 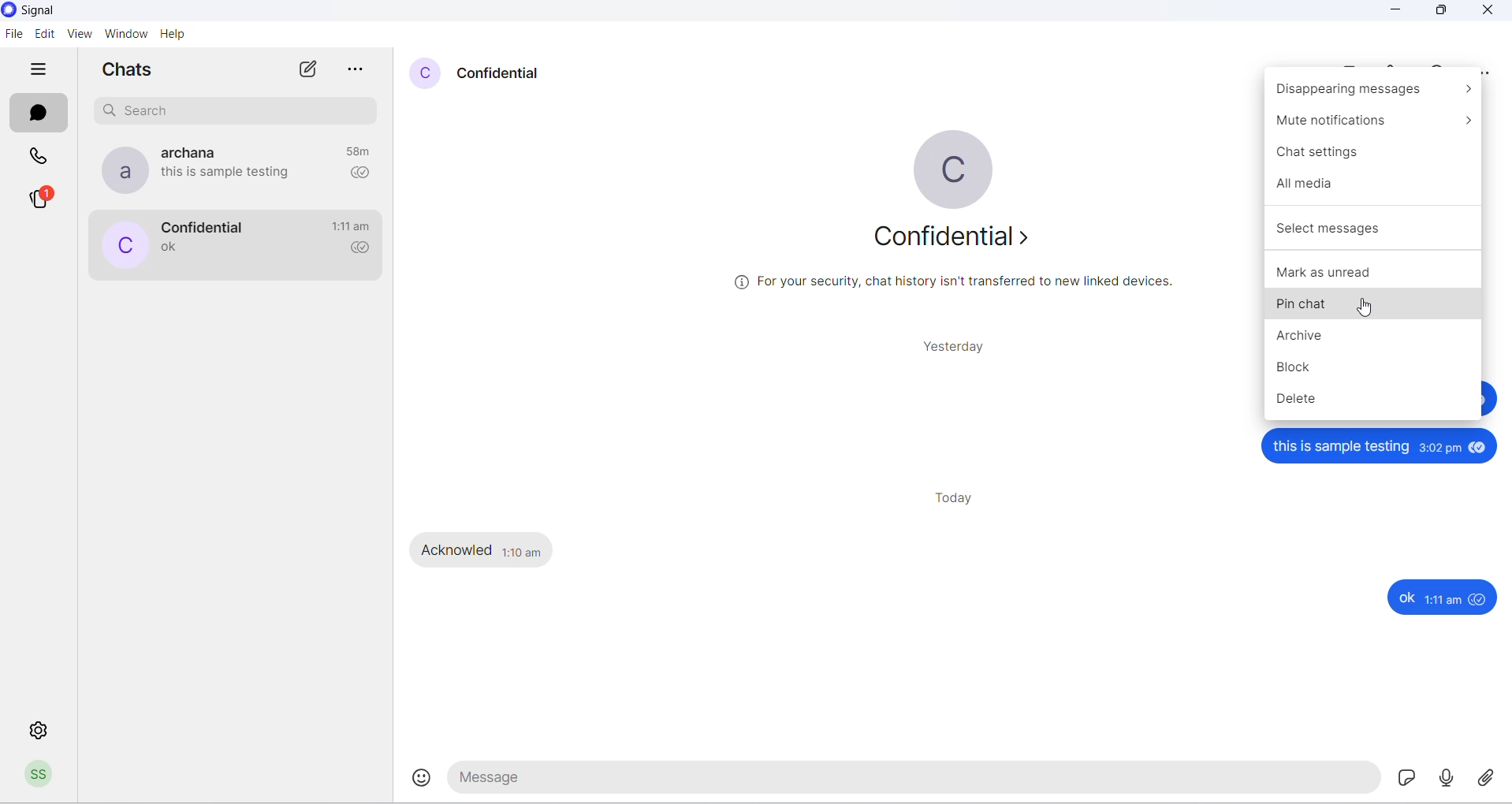 What do you see at coordinates (187, 152) in the screenshot?
I see `contact name` at bounding box center [187, 152].